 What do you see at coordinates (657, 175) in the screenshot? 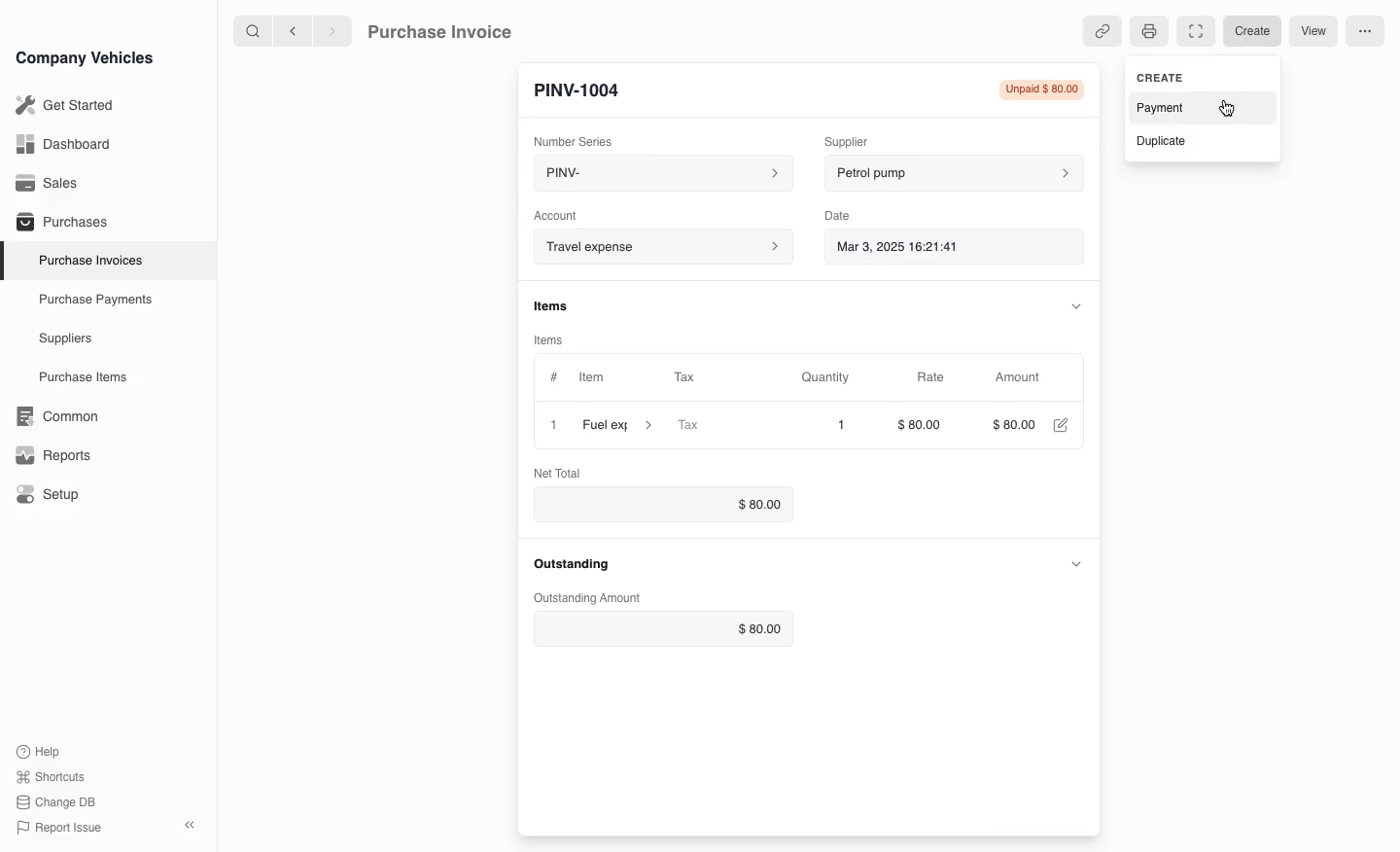
I see `PINV-` at bounding box center [657, 175].